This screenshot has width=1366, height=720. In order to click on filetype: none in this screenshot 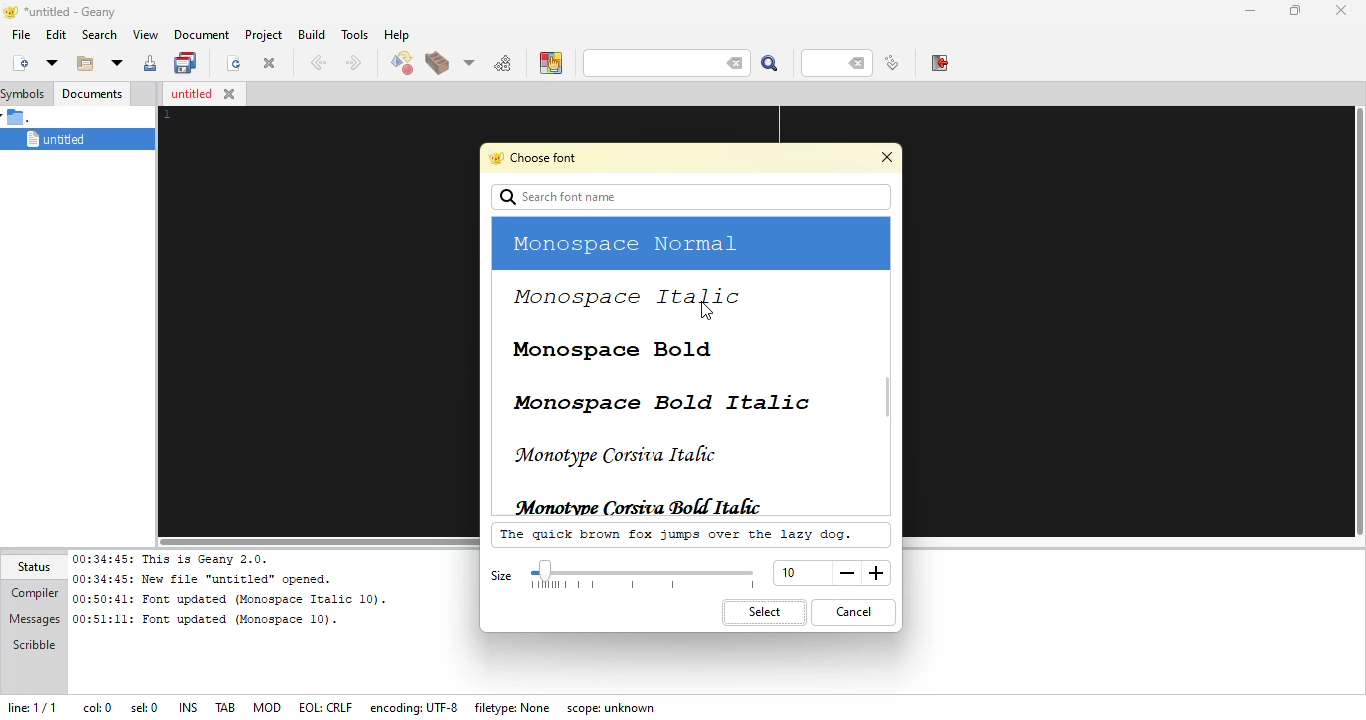, I will do `click(513, 705)`.